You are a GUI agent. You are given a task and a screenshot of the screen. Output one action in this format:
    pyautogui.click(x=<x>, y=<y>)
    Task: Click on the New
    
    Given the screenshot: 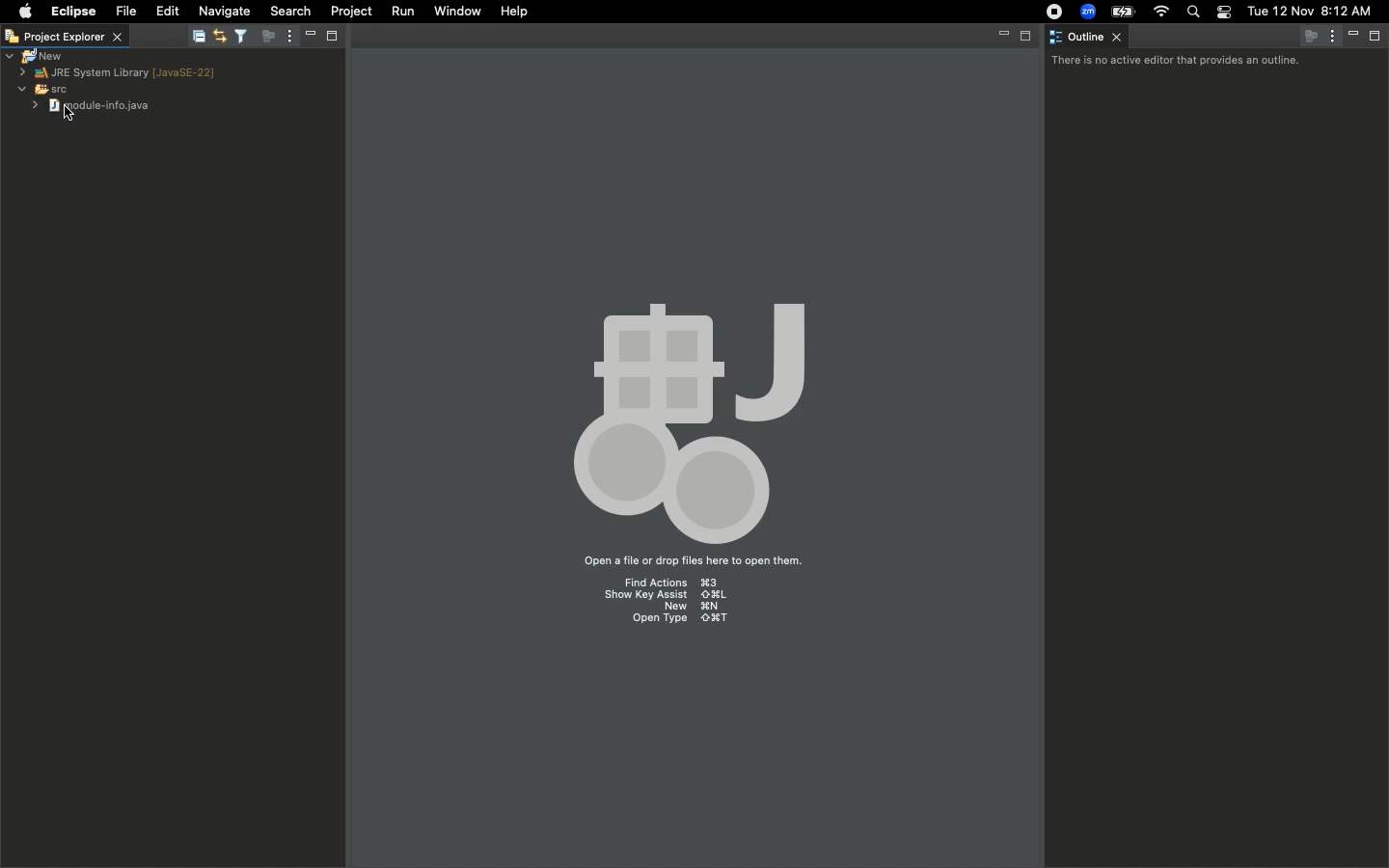 What is the action you would take?
    pyautogui.click(x=693, y=608)
    